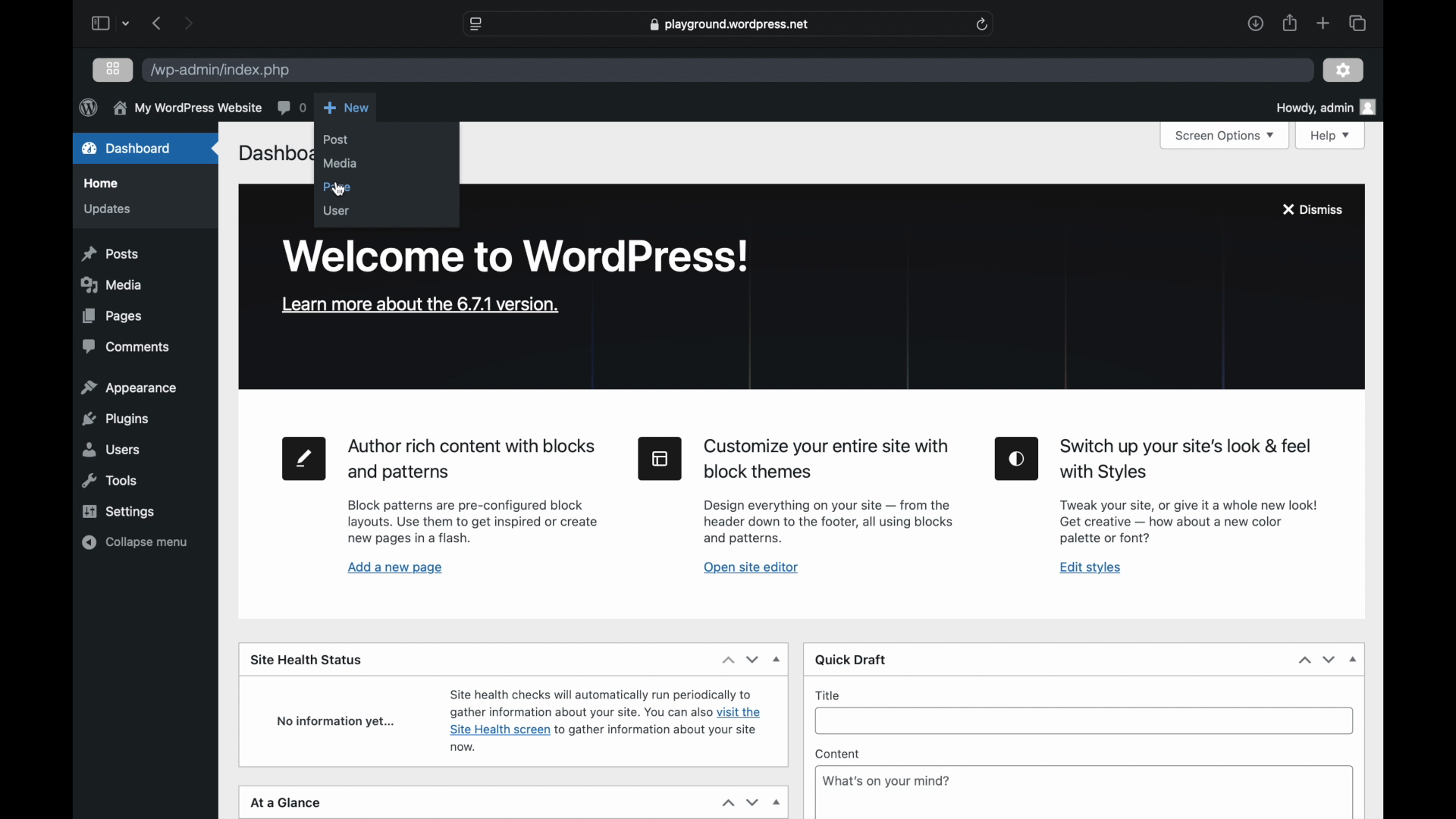 This screenshot has width=1456, height=819. What do you see at coordinates (740, 802) in the screenshot?
I see `stepper buttons` at bounding box center [740, 802].